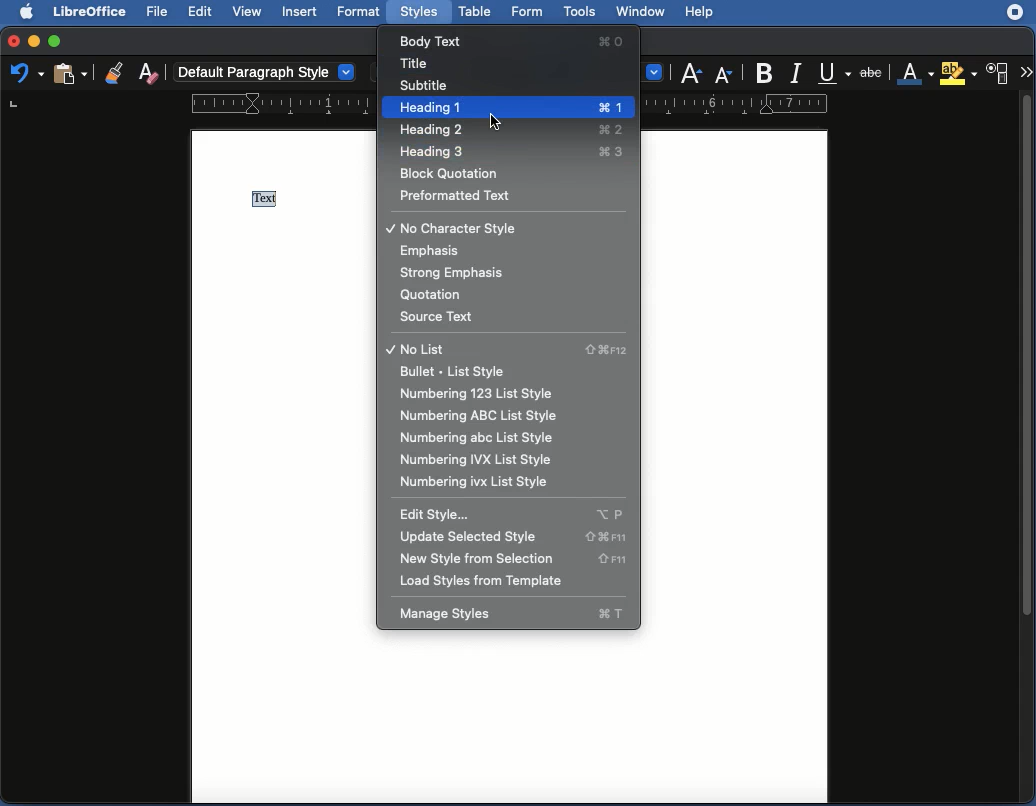 Image resolution: width=1036 pixels, height=806 pixels. What do you see at coordinates (421, 12) in the screenshot?
I see `Styles` at bounding box center [421, 12].